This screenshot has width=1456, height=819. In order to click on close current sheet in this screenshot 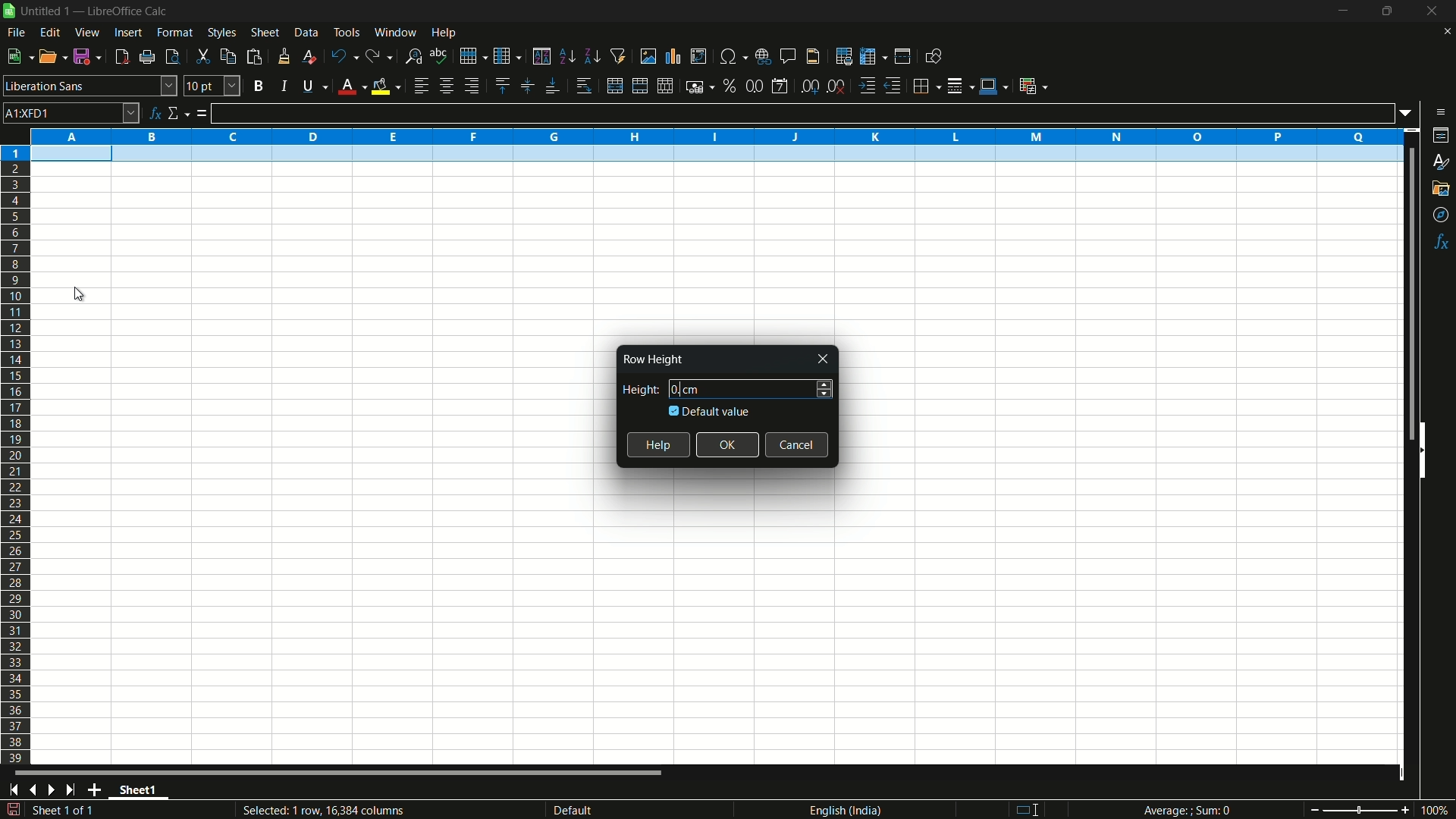, I will do `click(1445, 35)`.